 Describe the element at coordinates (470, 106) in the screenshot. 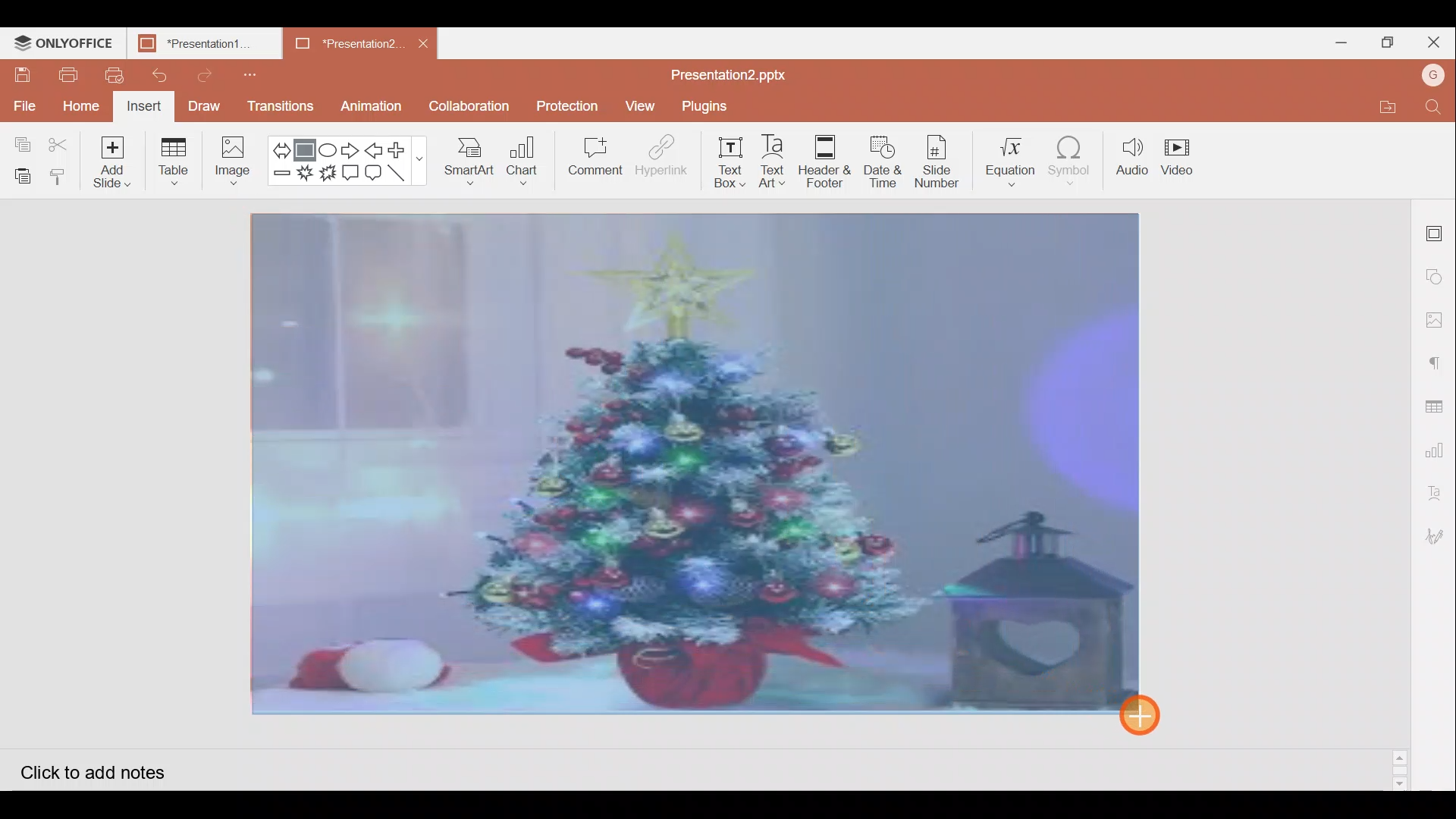

I see `Collaboration` at that location.